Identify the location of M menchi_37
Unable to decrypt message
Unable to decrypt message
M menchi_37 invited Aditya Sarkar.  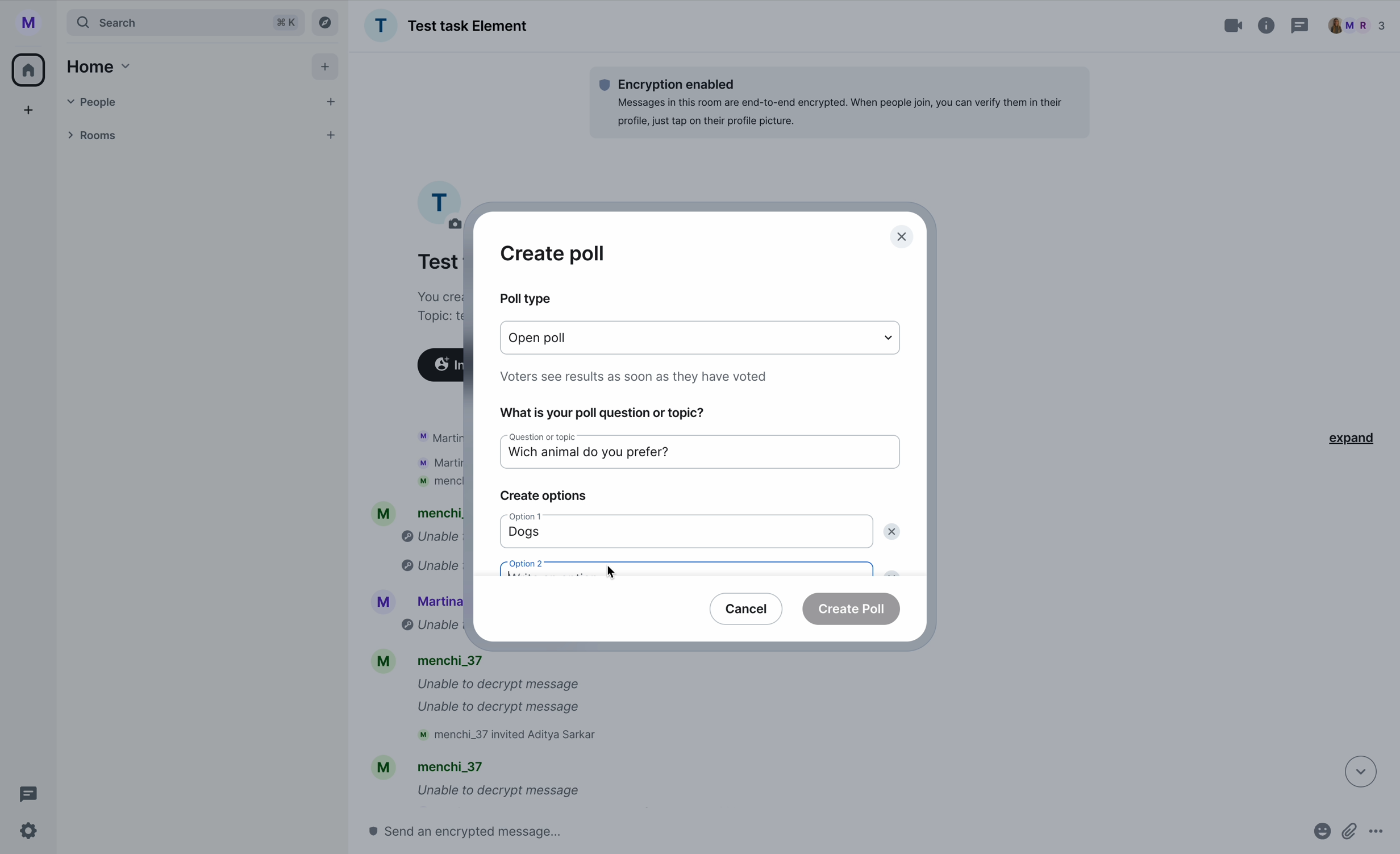
(491, 700).